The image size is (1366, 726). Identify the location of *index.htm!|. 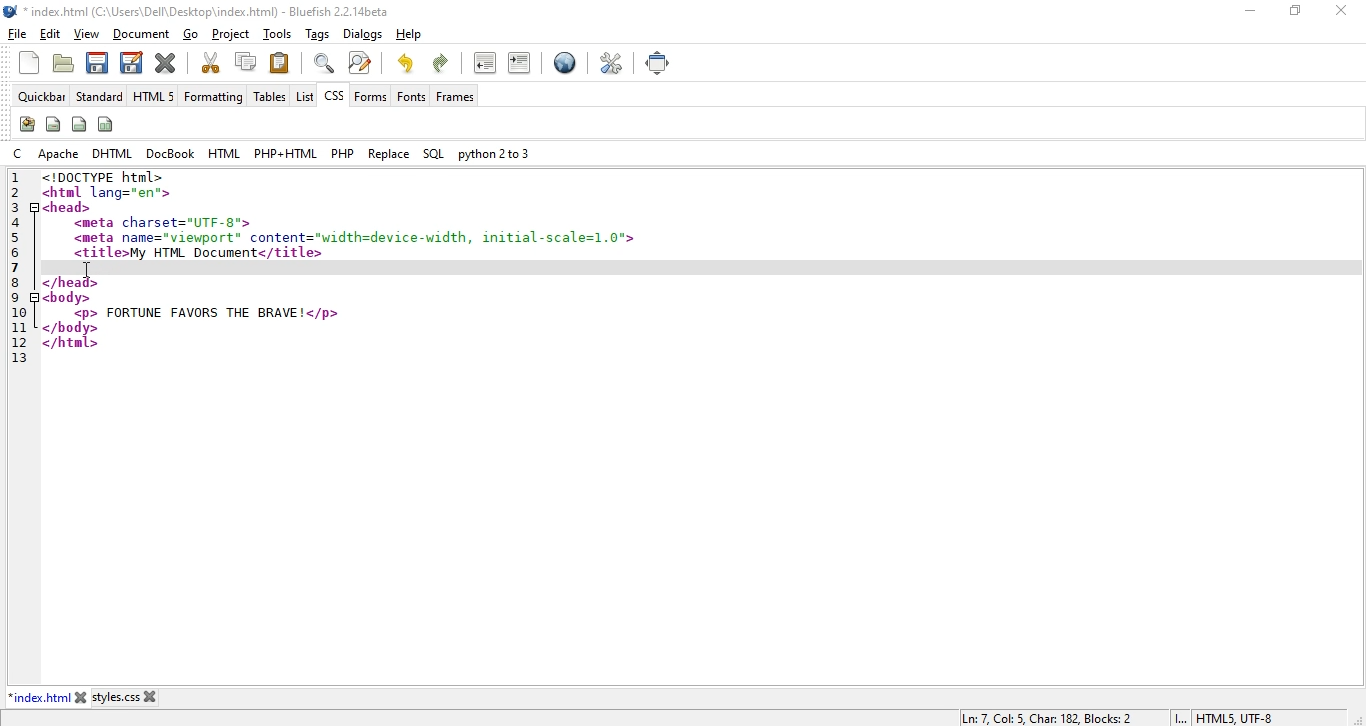
(41, 697).